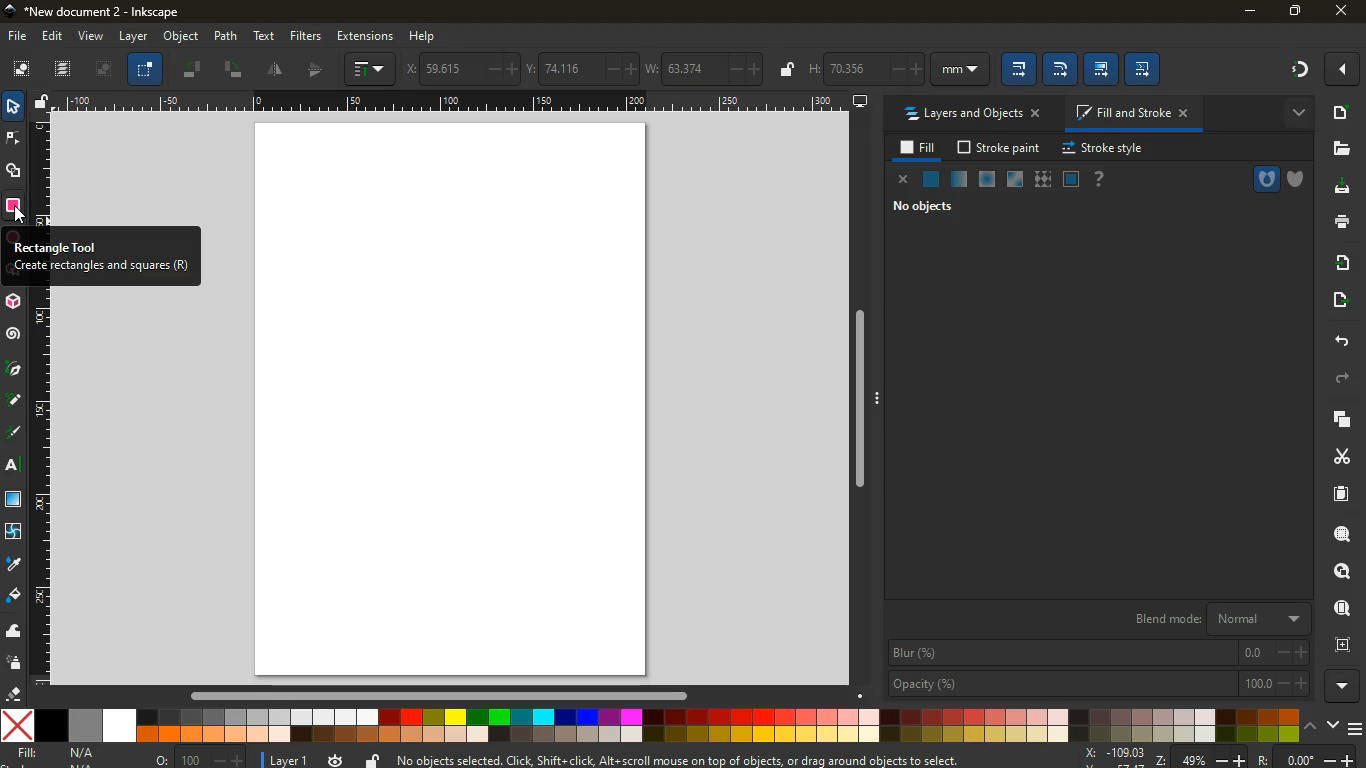  What do you see at coordinates (1102, 70) in the screenshot?
I see `edit` at bounding box center [1102, 70].